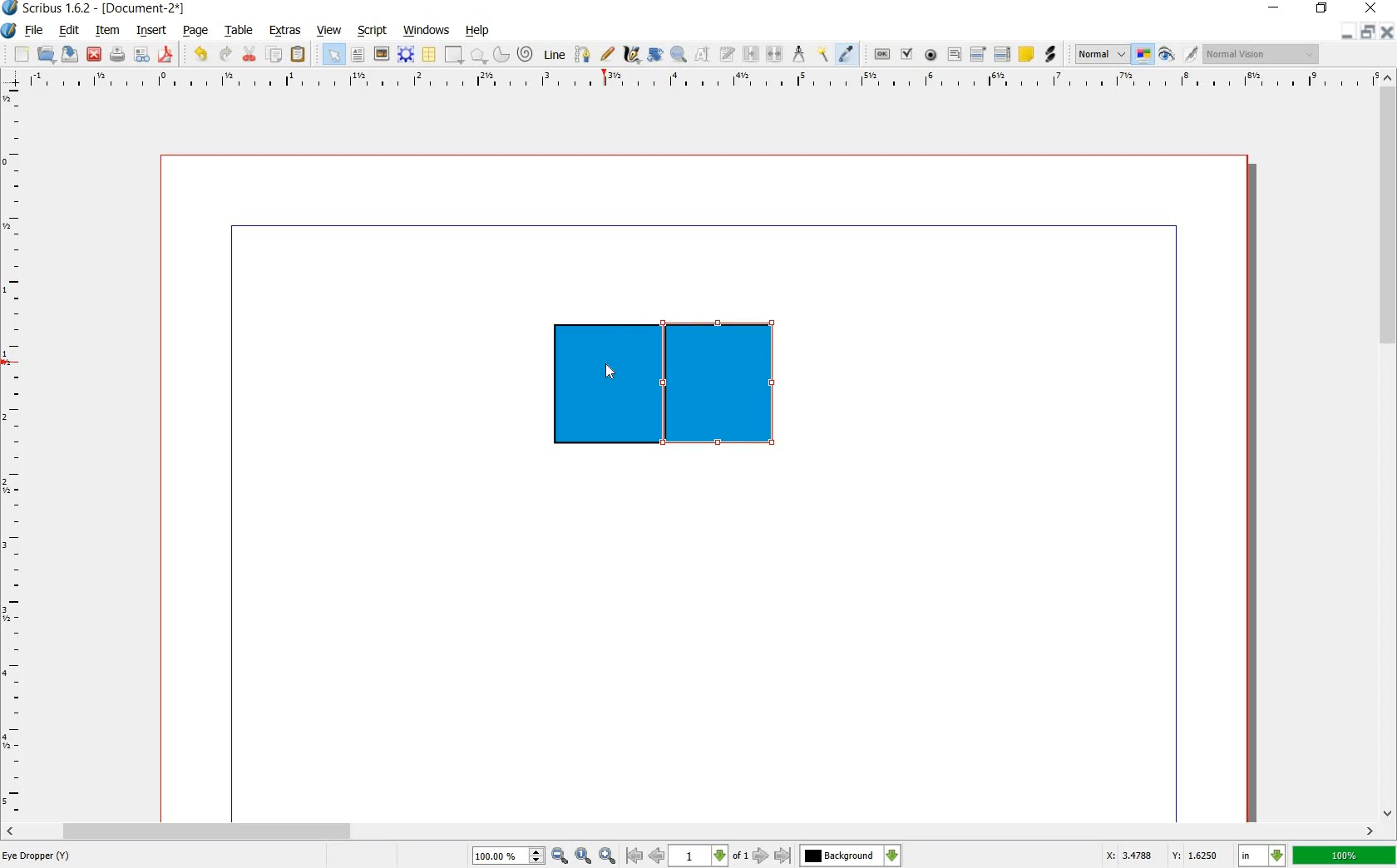 This screenshot has width=1397, height=868. Describe the element at coordinates (691, 830) in the screenshot. I see `scrollbar` at that location.